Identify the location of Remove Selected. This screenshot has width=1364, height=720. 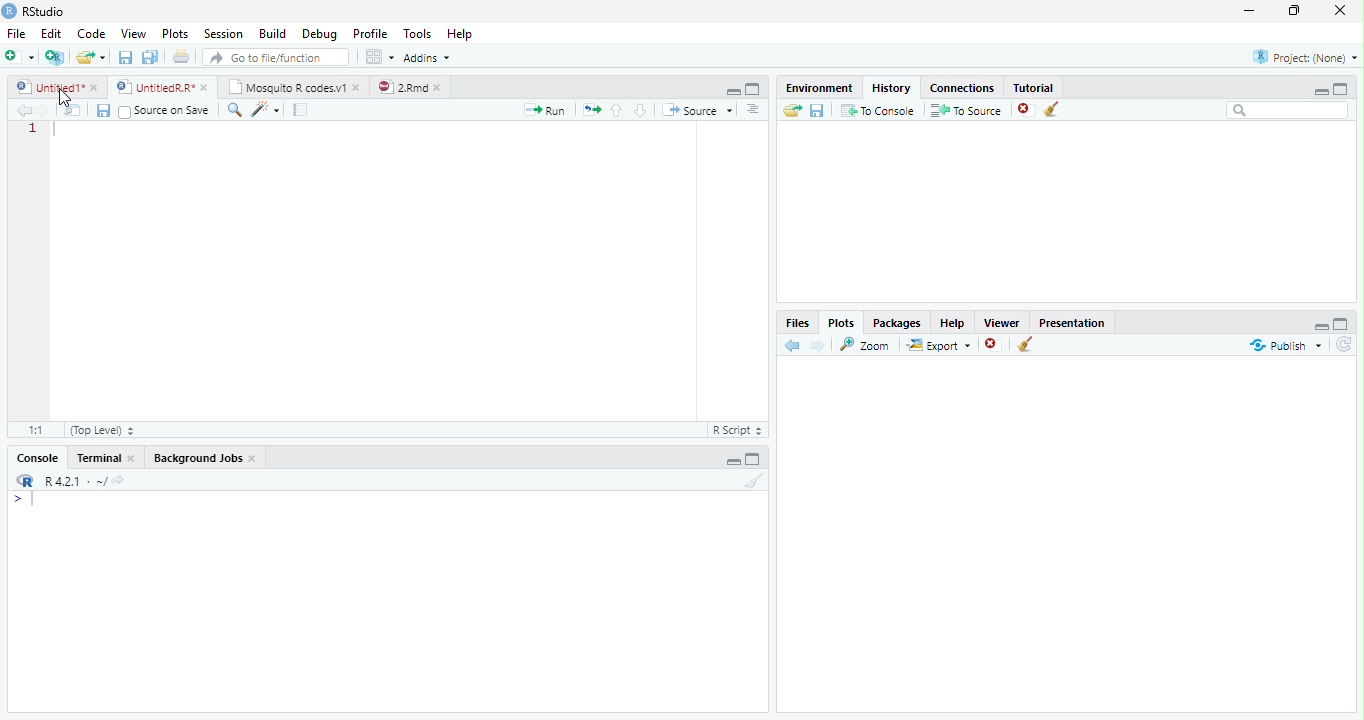
(1027, 109).